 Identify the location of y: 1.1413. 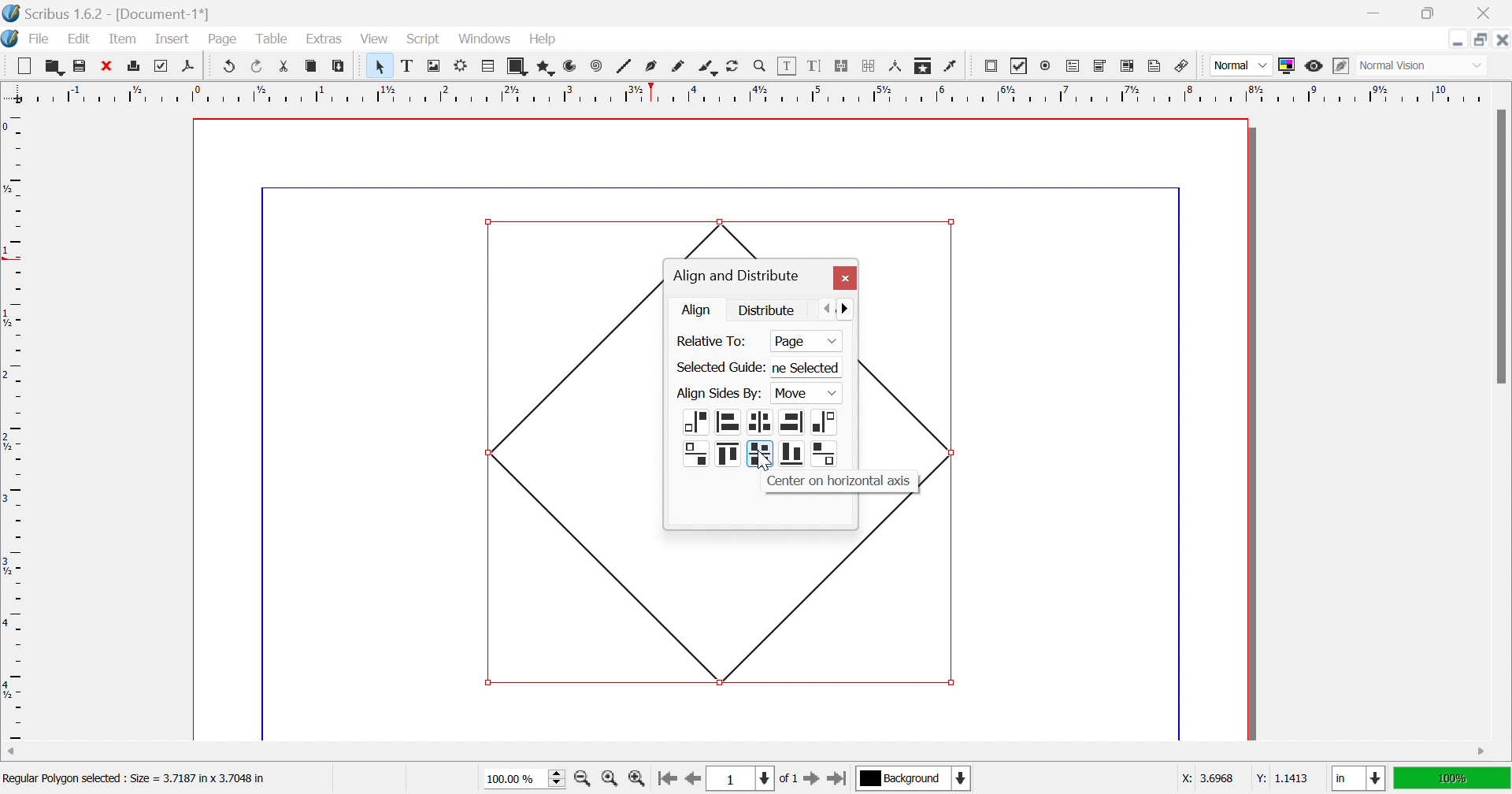
(1280, 778).